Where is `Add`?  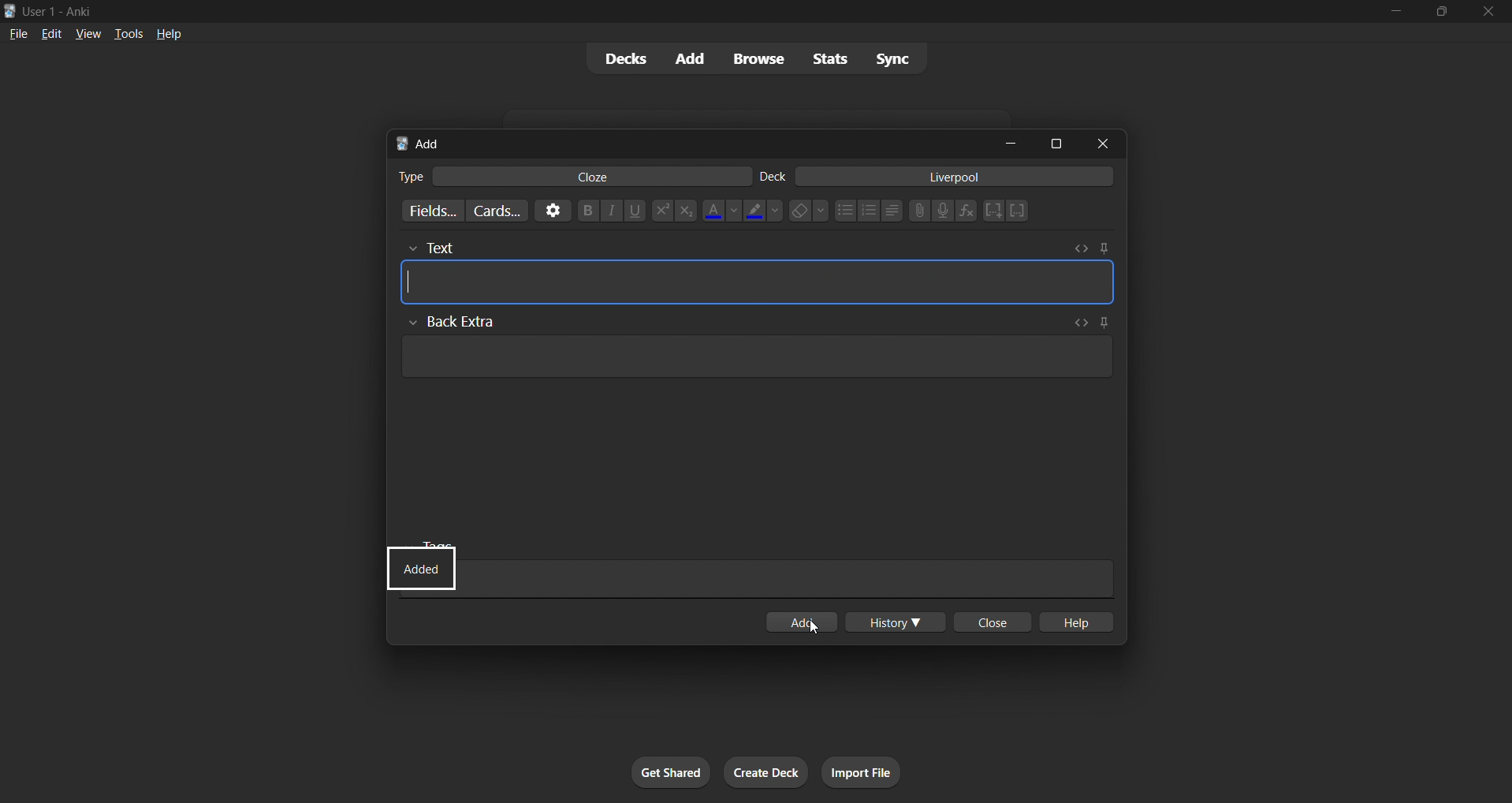
Add is located at coordinates (426, 143).